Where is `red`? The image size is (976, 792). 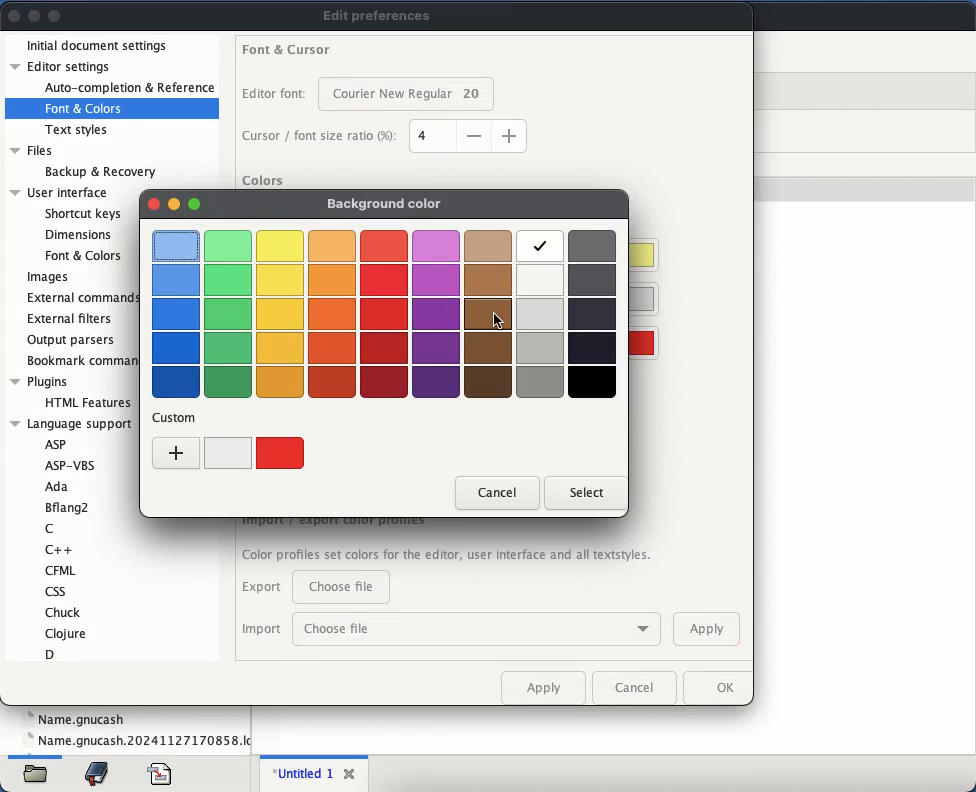
red is located at coordinates (281, 450).